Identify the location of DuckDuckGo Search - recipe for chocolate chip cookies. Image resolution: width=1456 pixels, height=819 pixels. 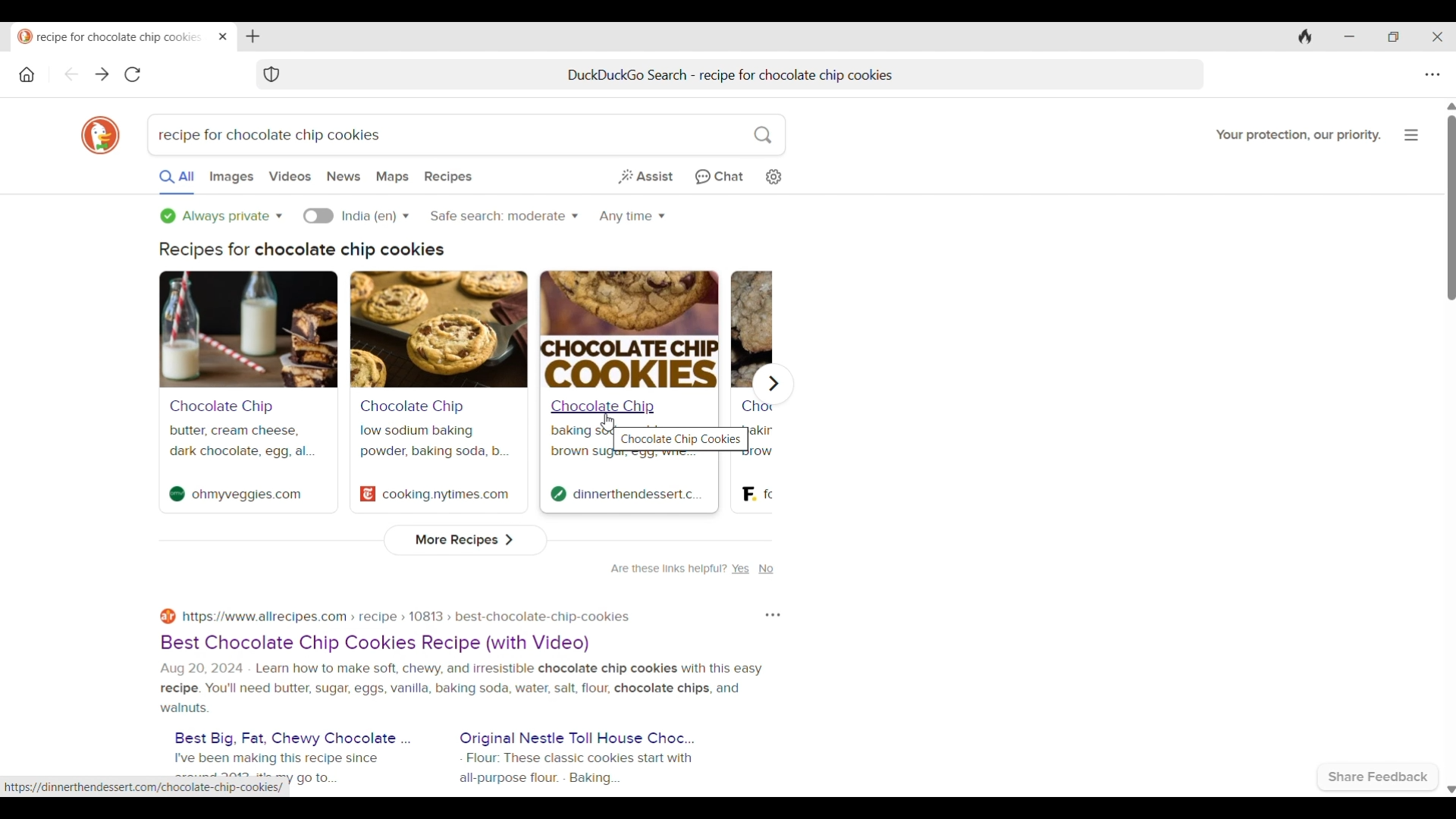
(743, 74).